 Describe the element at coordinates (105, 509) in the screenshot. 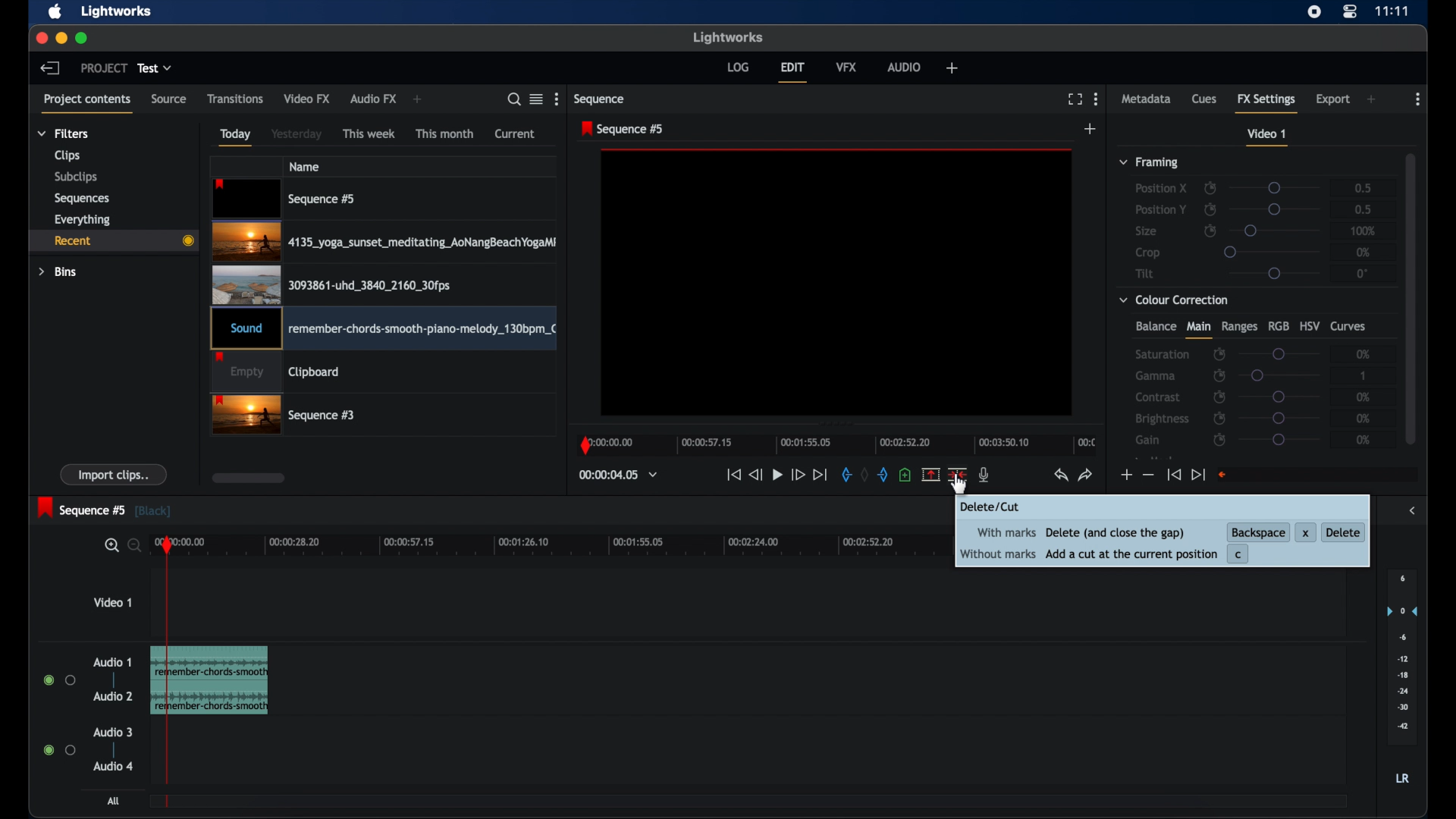

I see `sequence 5` at that location.